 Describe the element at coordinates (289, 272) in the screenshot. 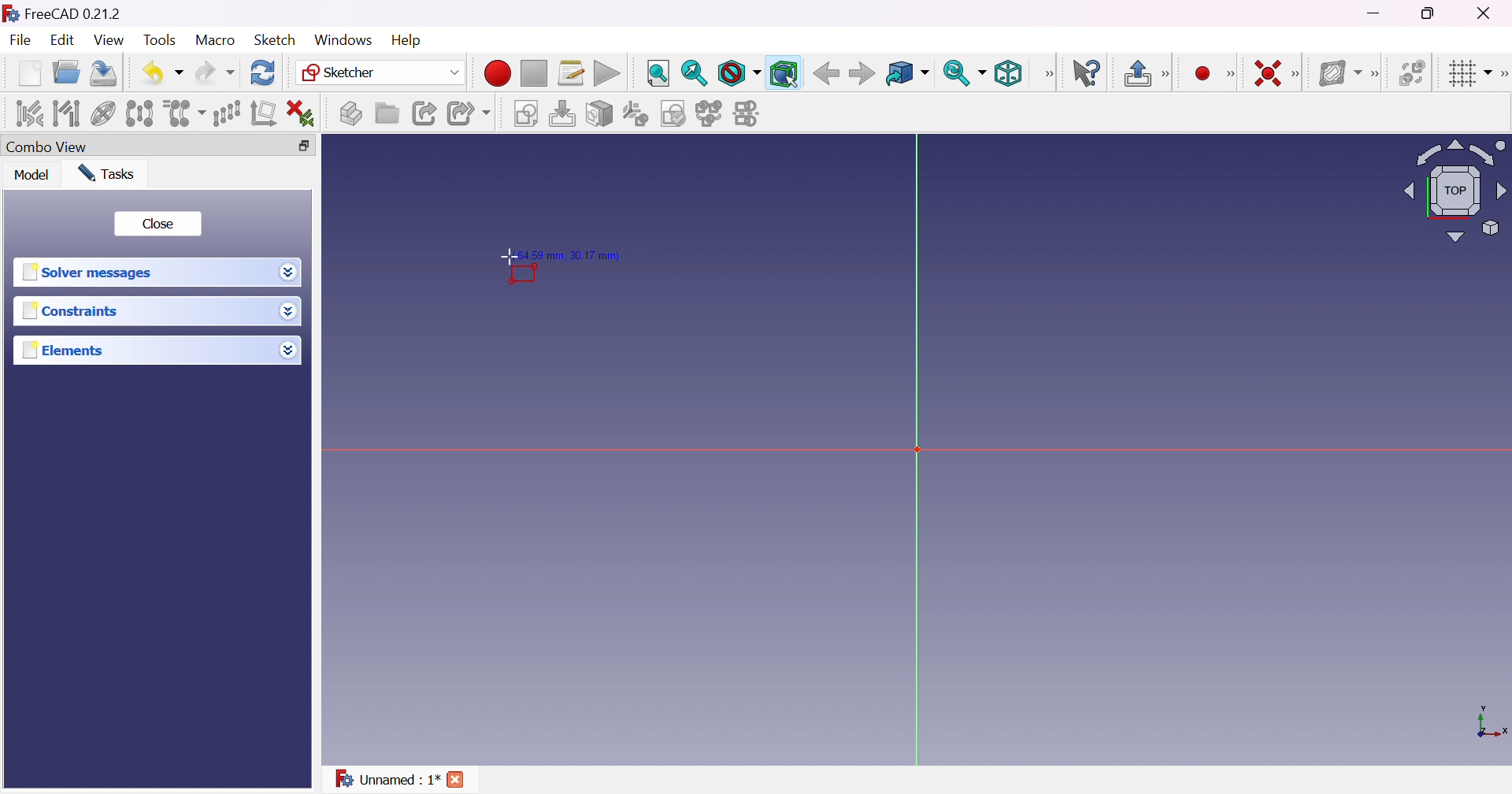

I see `Drop down` at that location.